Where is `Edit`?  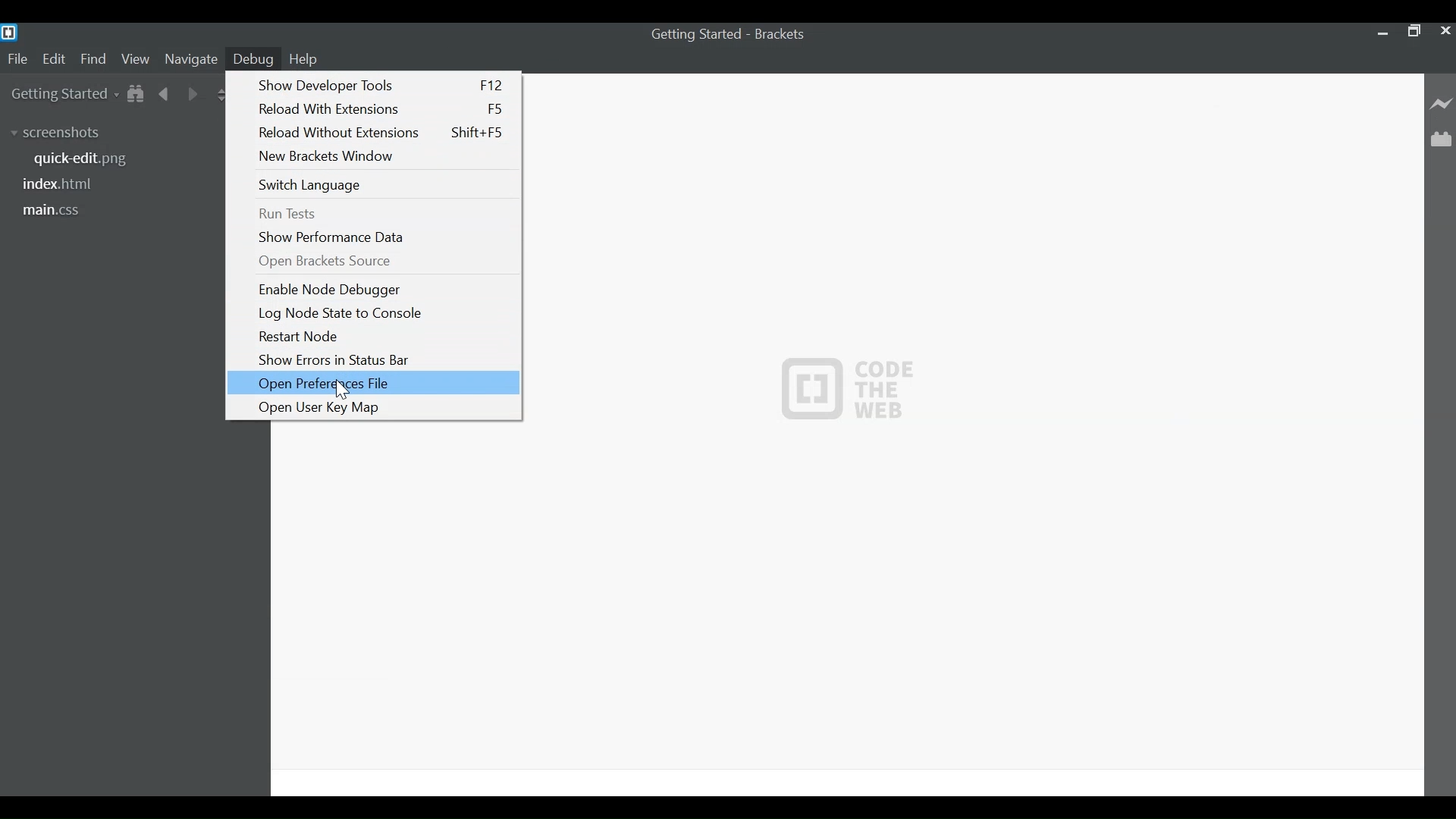
Edit is located at coordinates (52, 58).